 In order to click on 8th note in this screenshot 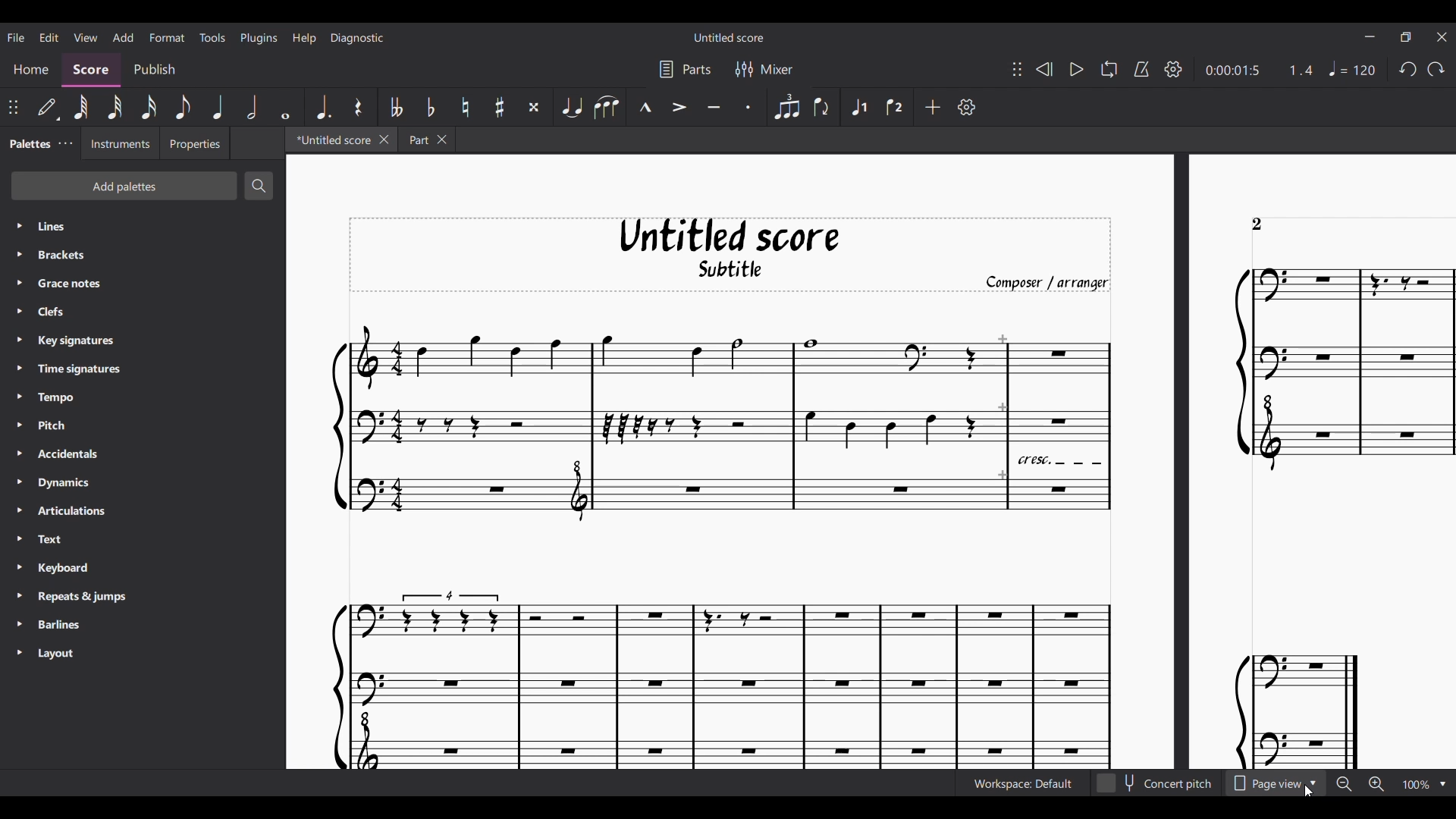, I will do `click(184, 108)`.